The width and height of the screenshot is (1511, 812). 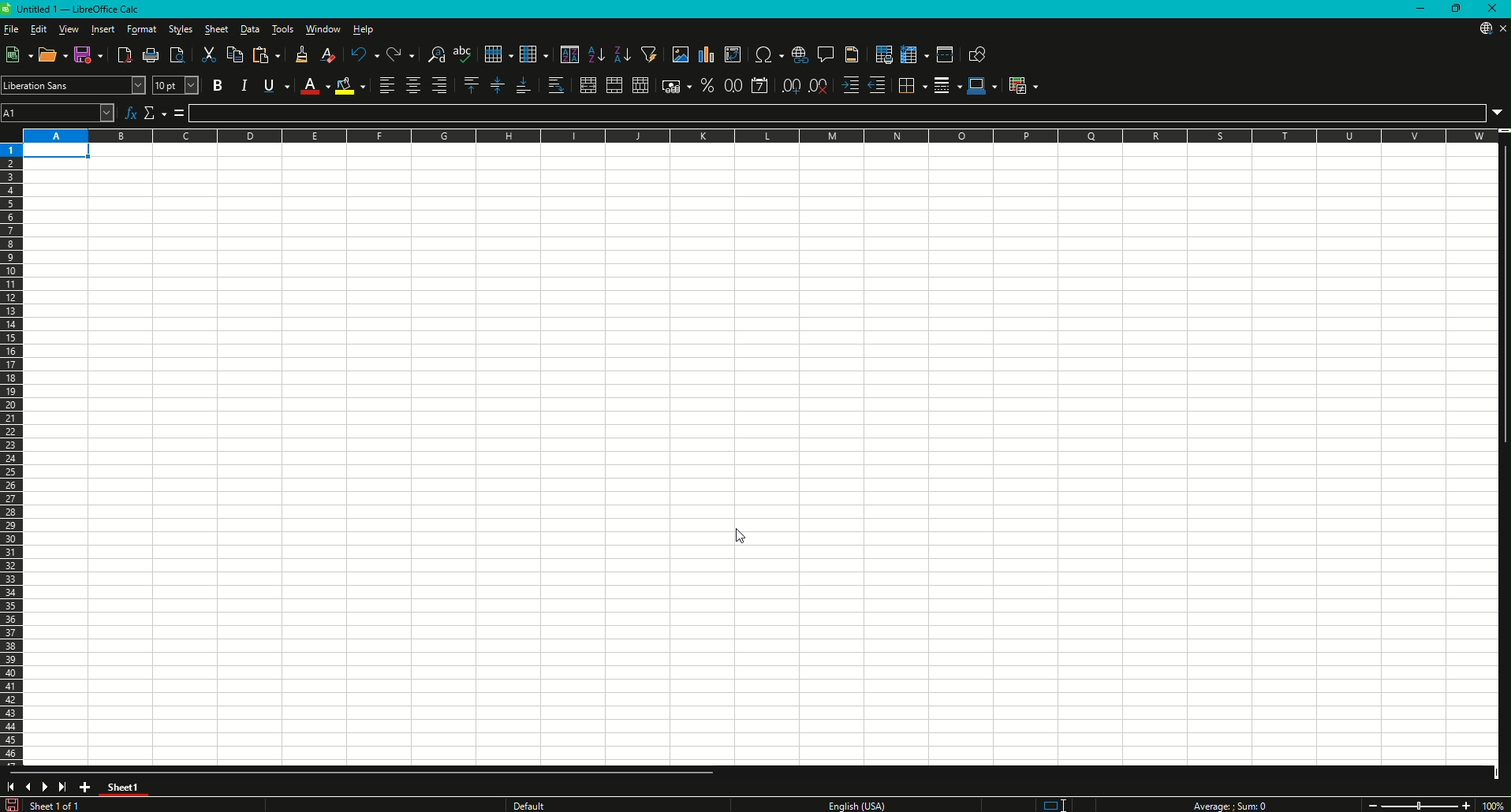 I want to click on Cut, so click(x=209, y=54).